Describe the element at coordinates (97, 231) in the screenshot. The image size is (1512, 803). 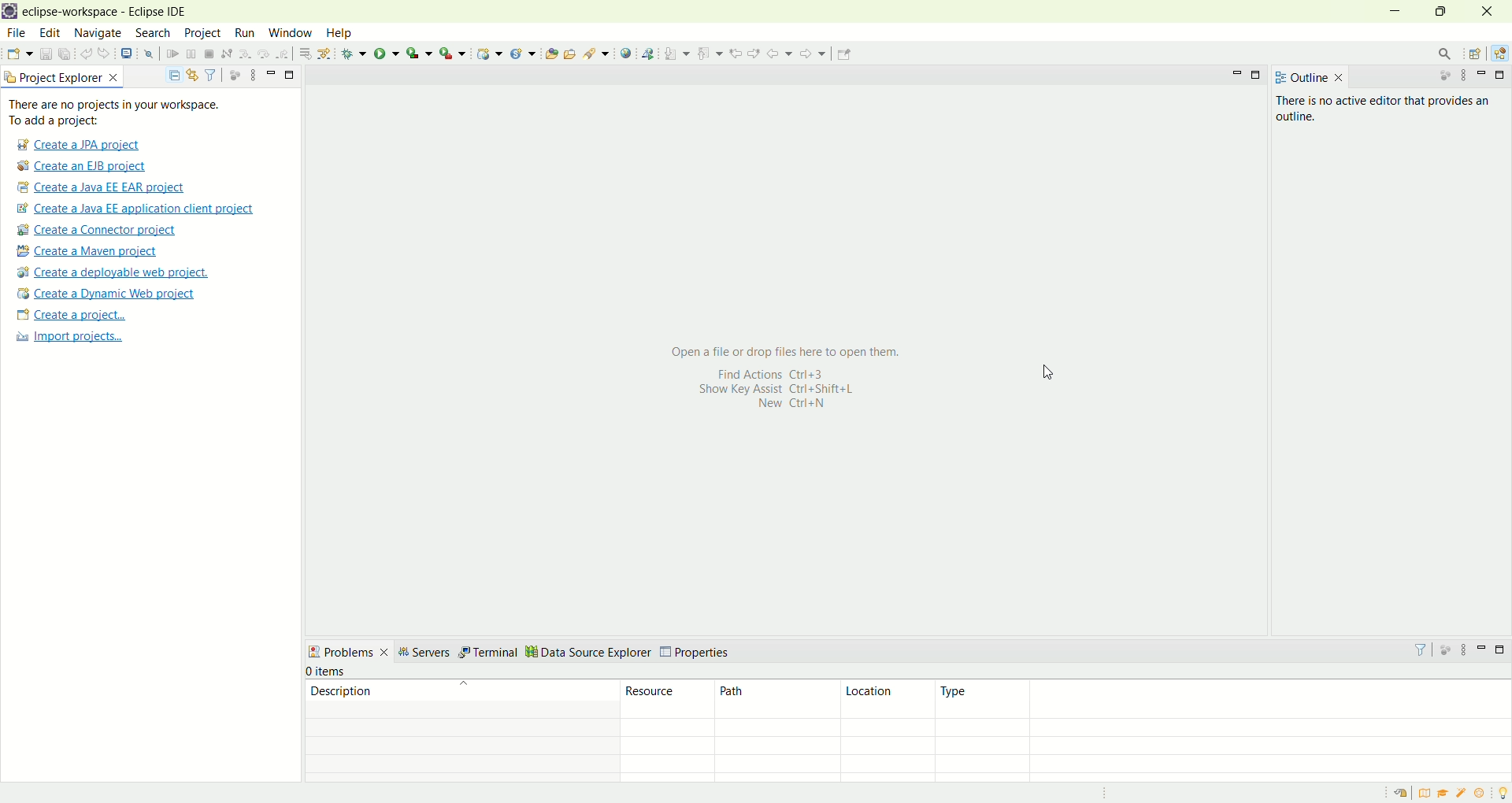
I see `create a connector project` at that location.